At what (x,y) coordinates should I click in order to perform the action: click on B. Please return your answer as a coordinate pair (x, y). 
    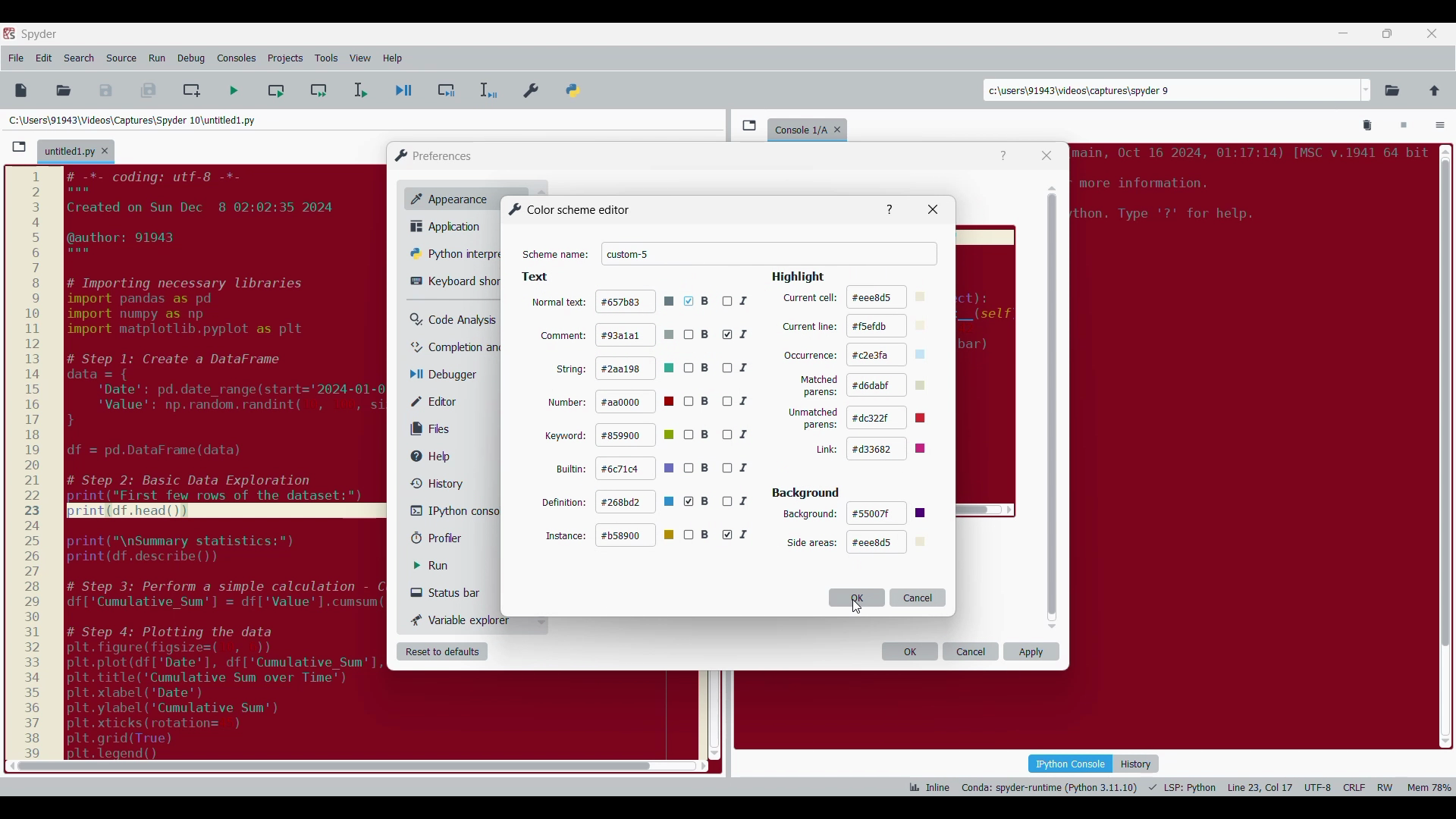
    Looking at the image, I should click on (698, 501).